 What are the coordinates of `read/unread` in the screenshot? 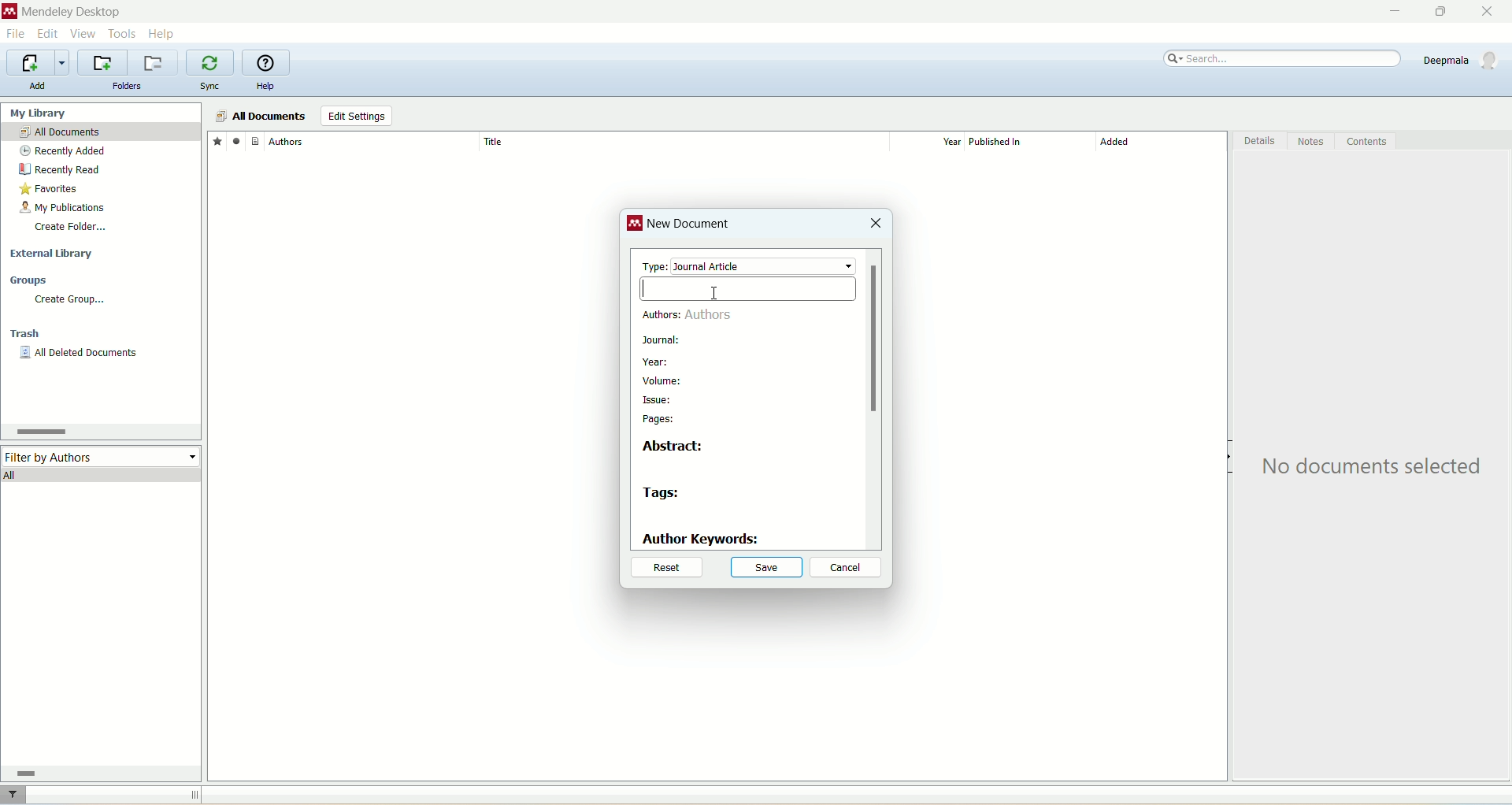 It's located at (234, 140).